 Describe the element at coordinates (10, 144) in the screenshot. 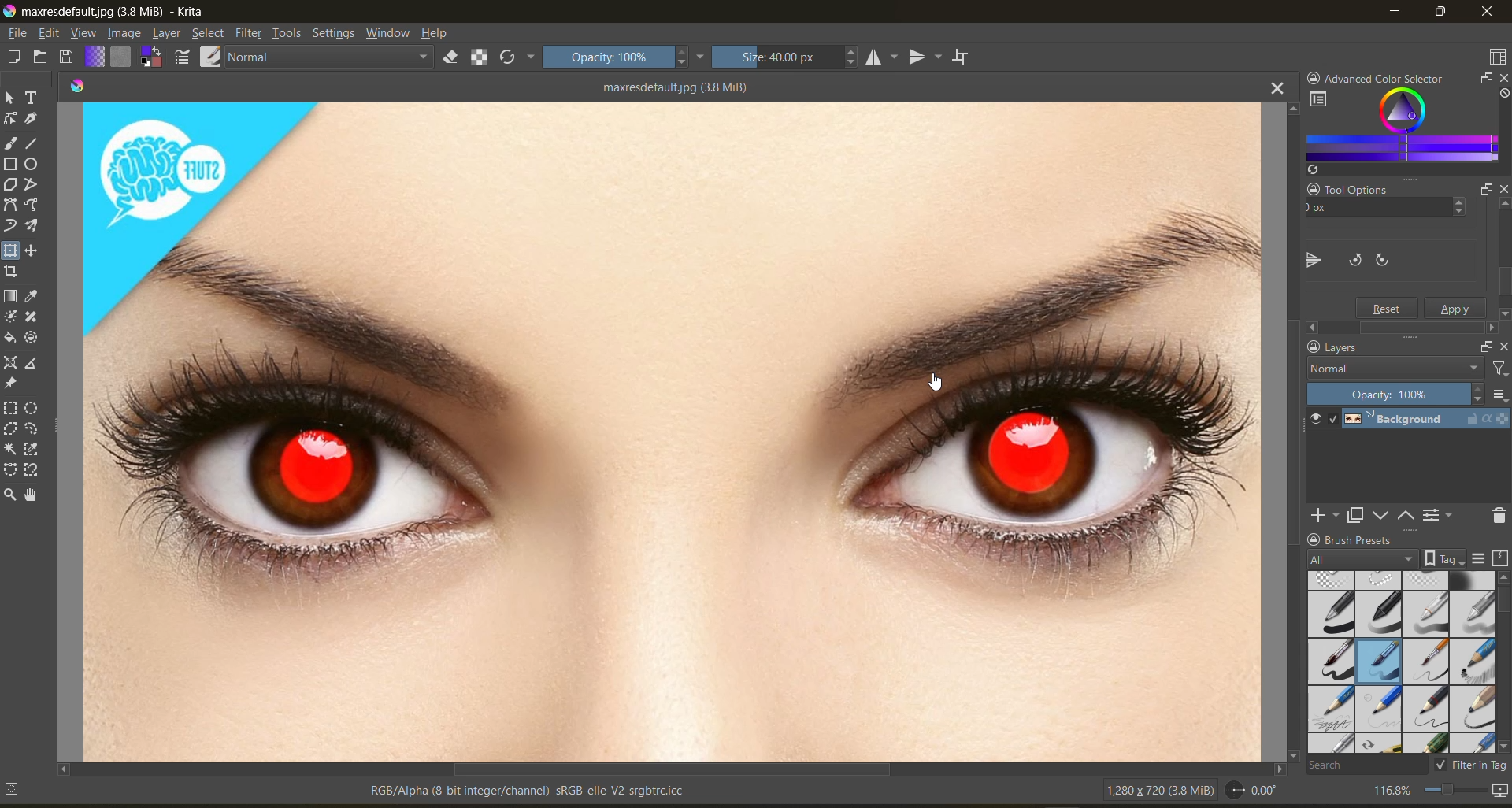

I see `tool` at that location.